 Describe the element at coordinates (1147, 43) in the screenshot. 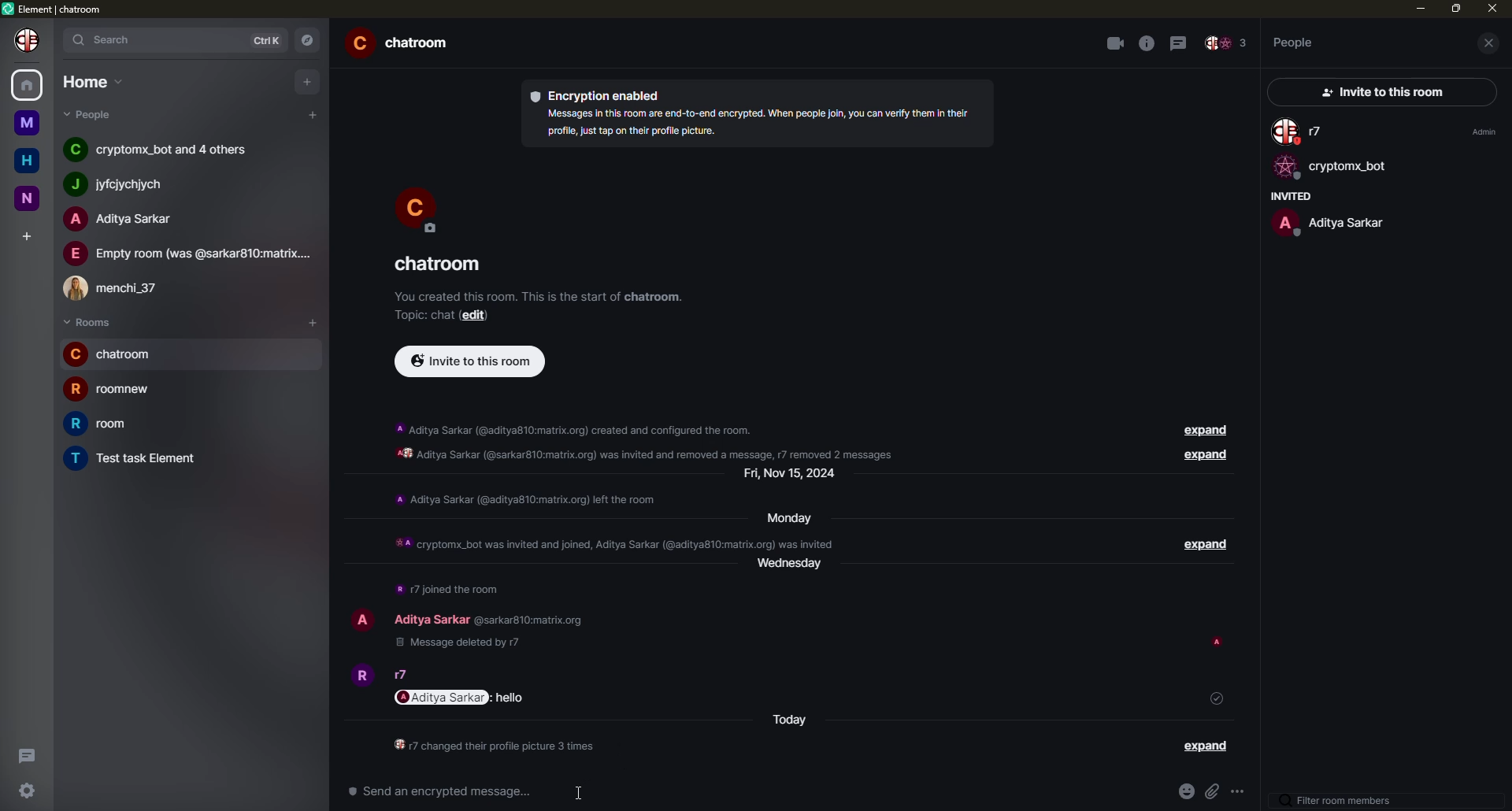

I see `info` at that location.